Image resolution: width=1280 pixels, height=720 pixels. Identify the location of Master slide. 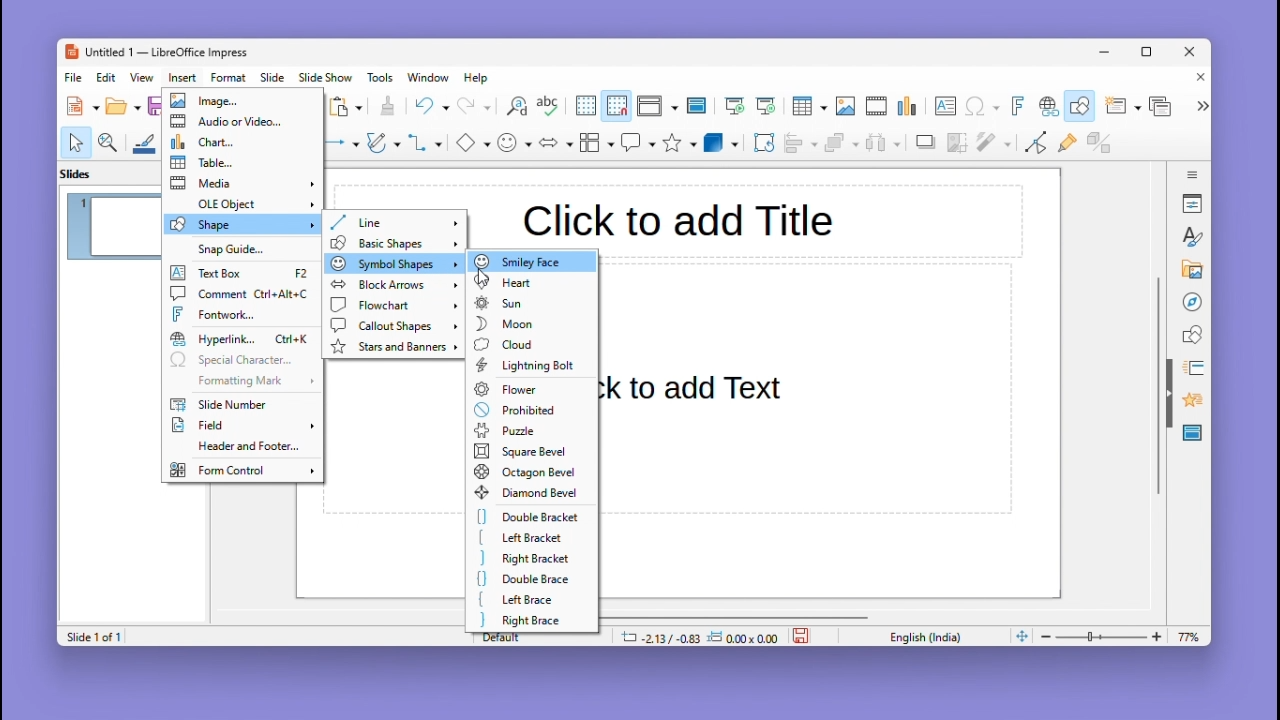
(699, 105).